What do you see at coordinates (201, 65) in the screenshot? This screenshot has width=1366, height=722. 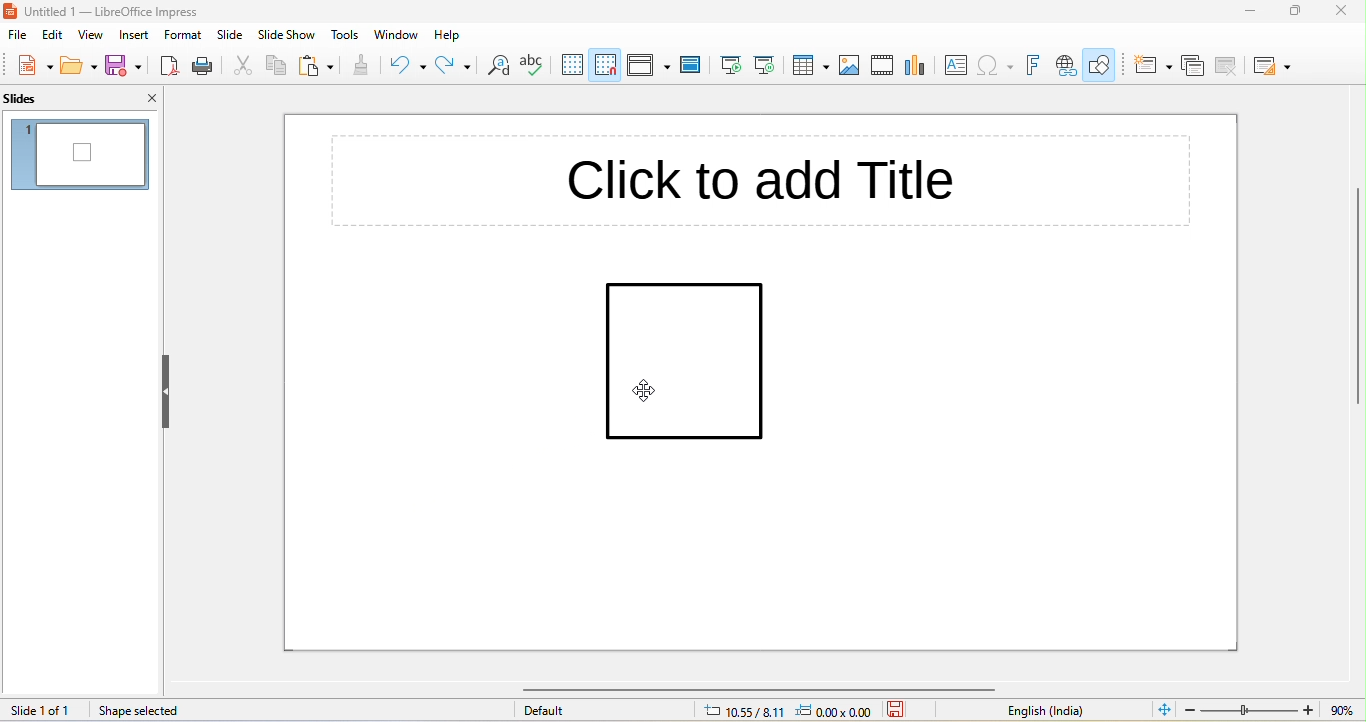 I see `print` at bounding box center [201, 65].